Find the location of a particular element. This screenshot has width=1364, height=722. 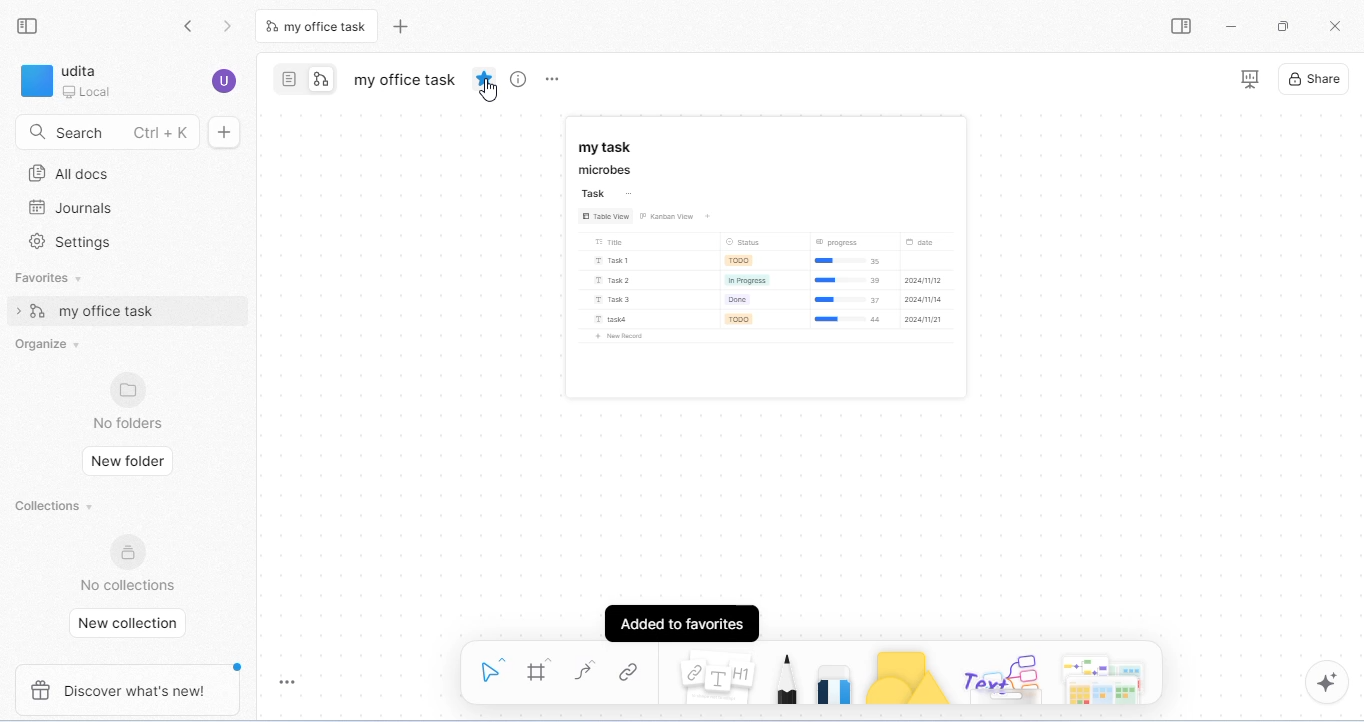

vertical scroll bar is located at coordinates (1353, 296).